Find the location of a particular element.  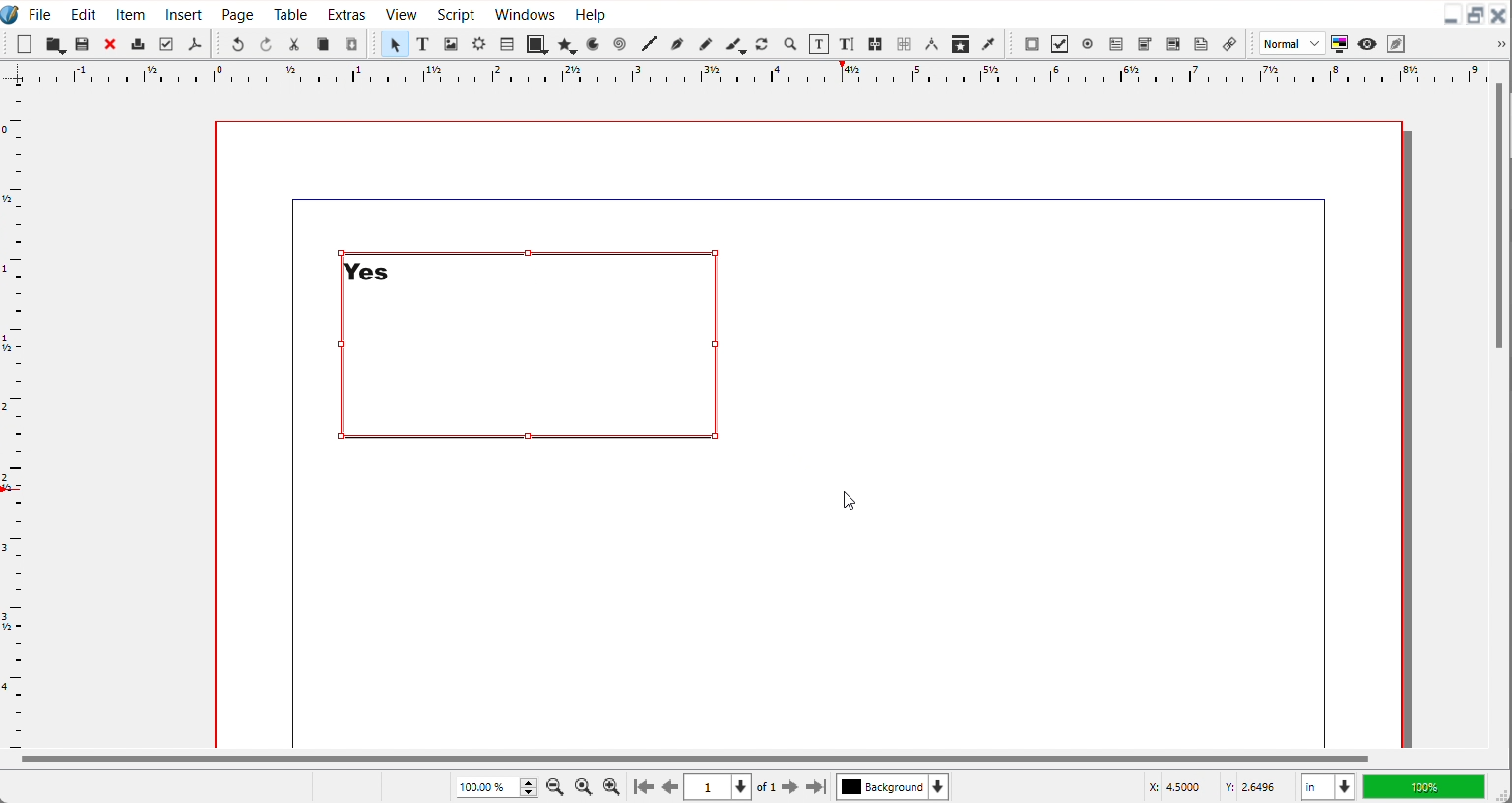

Shape is located at coordinates (537, 43).